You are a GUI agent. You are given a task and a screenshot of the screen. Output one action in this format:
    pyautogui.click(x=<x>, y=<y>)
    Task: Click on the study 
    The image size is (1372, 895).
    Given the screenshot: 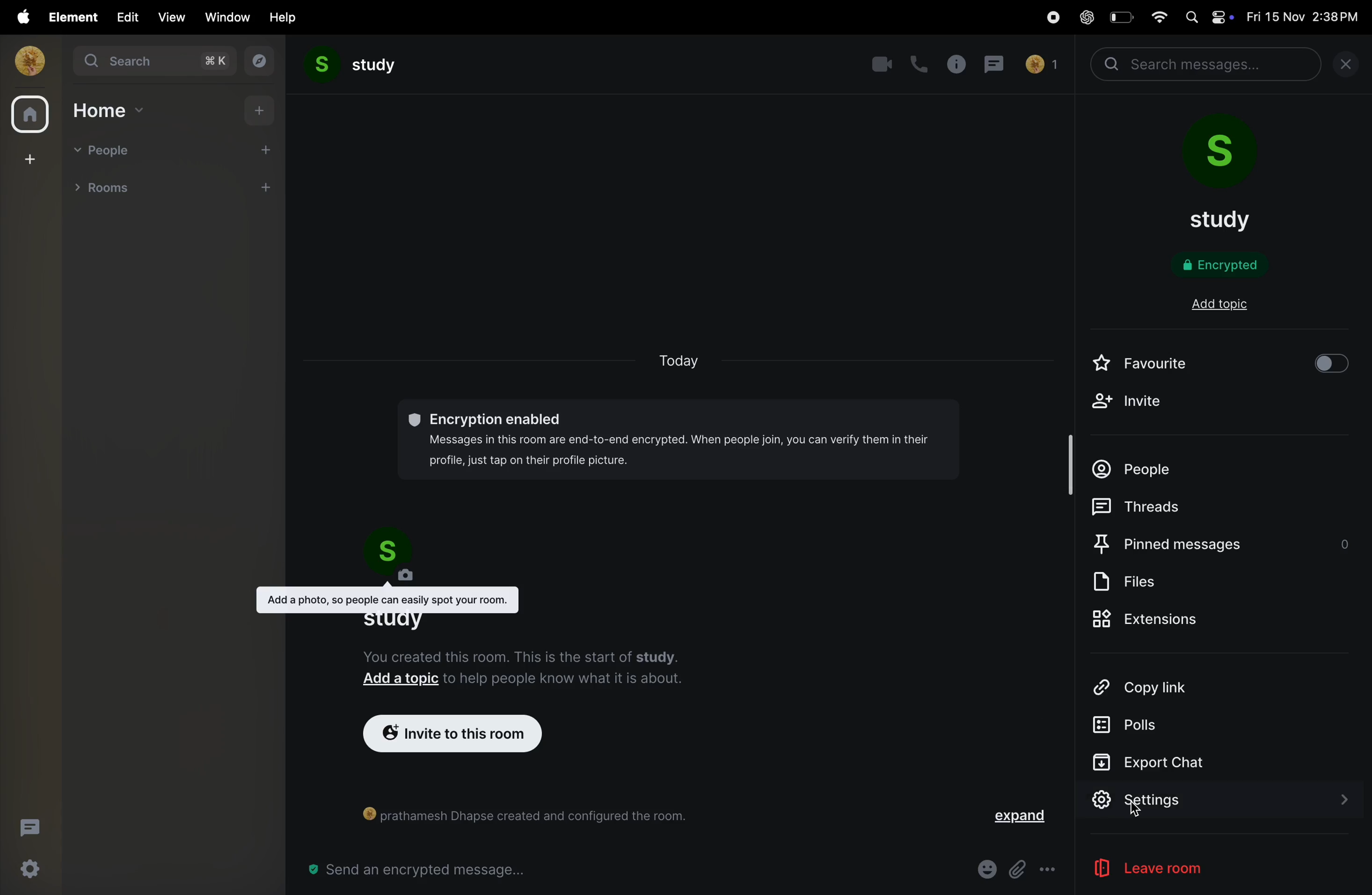 What is the action you would take?
    pyautogui.click(x=1225, y=220)
    